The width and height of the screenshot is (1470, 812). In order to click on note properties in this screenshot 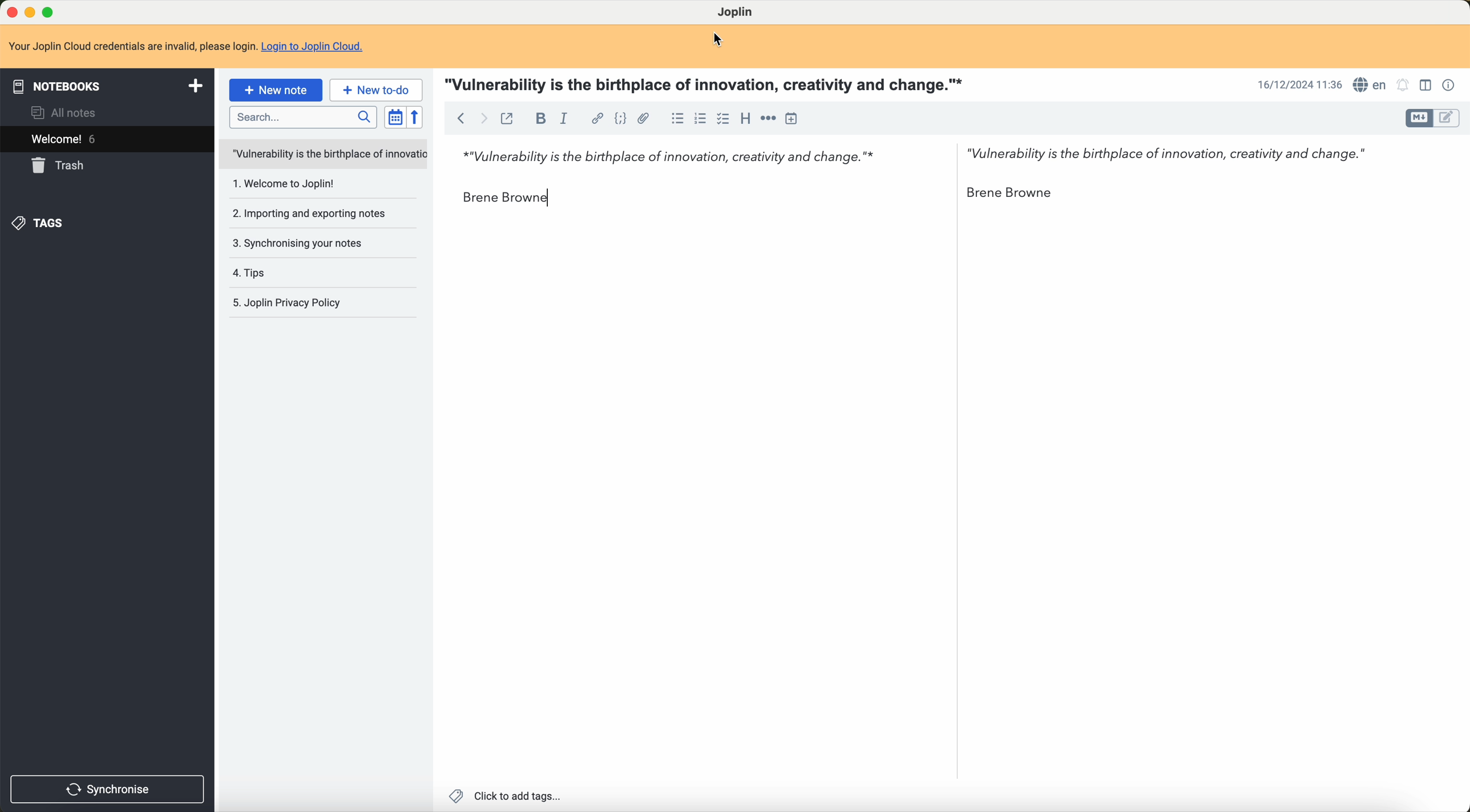, I will do `click(1449, 85)`.